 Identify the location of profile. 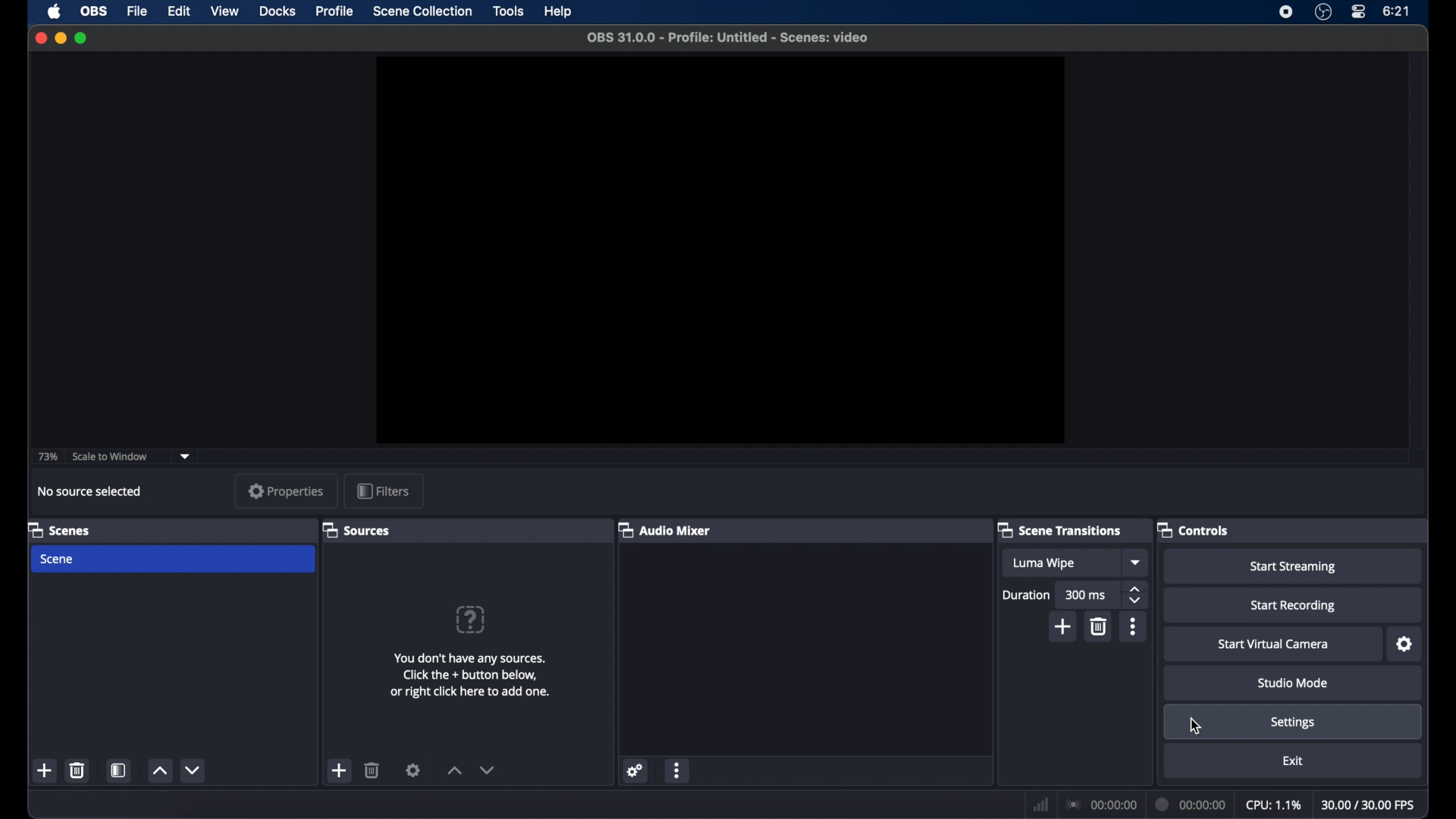
(336, 11).